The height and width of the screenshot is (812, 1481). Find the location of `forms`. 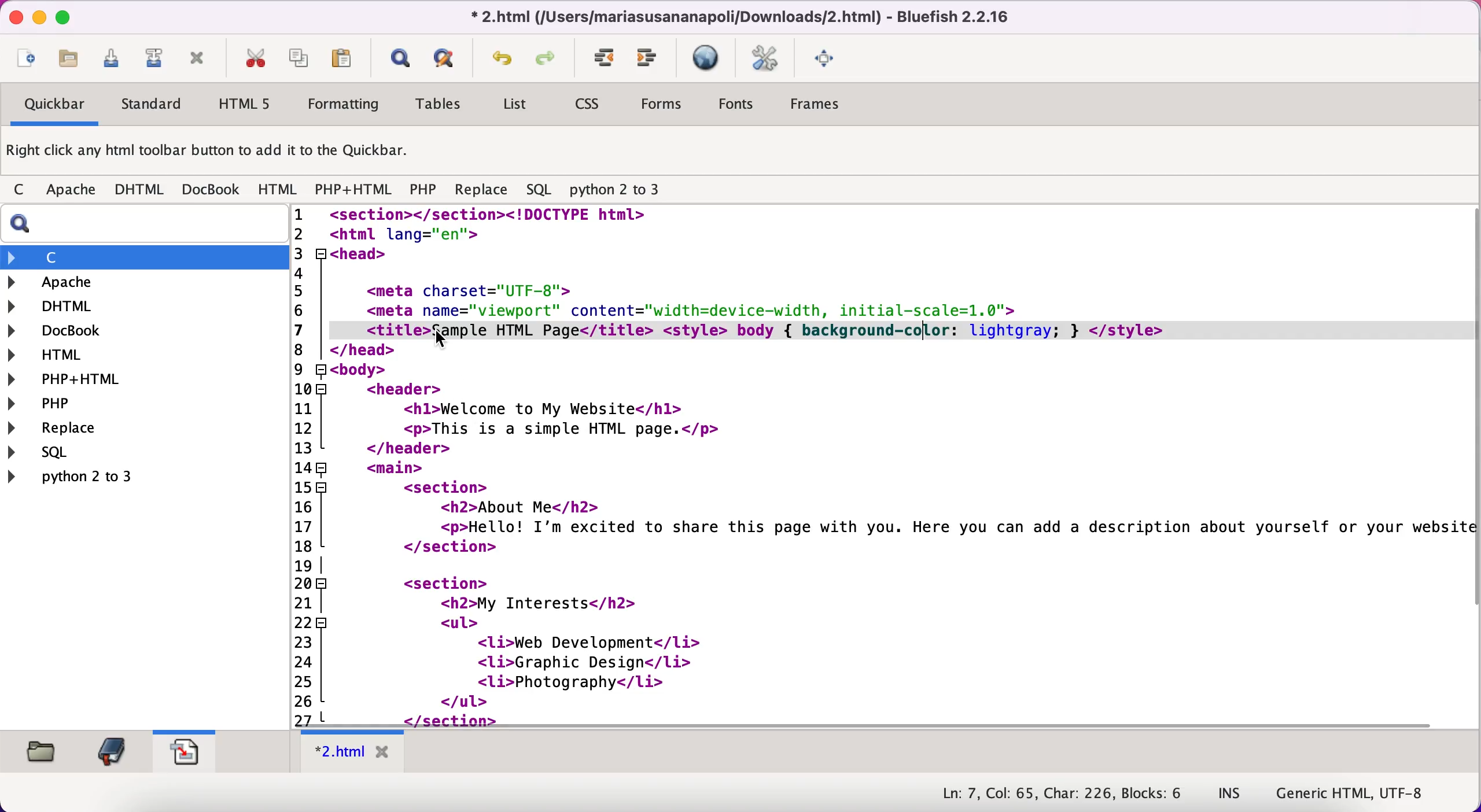

forms is located at coordinates (664, 107).